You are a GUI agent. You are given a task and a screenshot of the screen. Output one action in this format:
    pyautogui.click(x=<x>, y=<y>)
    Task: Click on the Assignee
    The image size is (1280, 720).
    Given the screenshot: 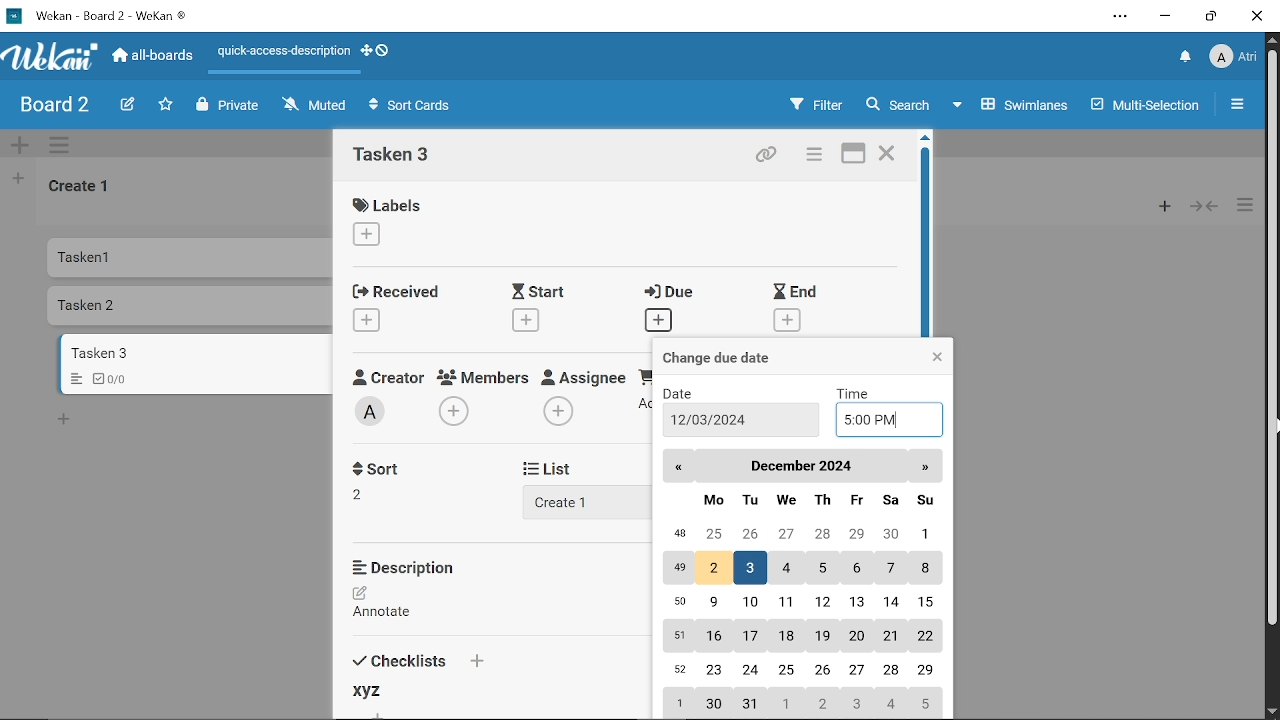 What is the action you would take?
    pyautogui.click(x=584, y=375)
    